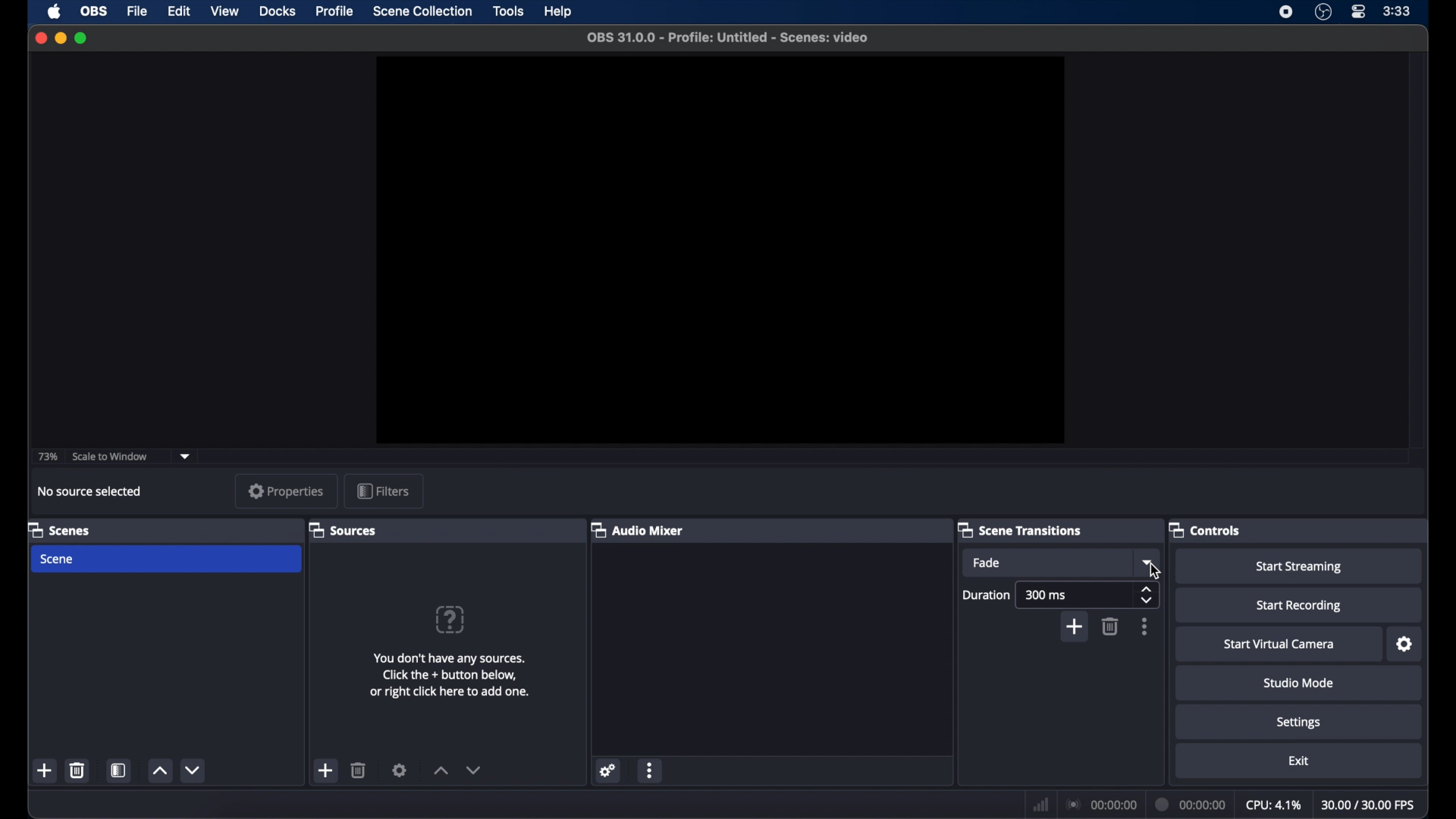 Image resolution: width=1456 pixels, height=819 pixels. Describe the element at coordinates (335, 11) in the screenshot. I see `profile` at that location.